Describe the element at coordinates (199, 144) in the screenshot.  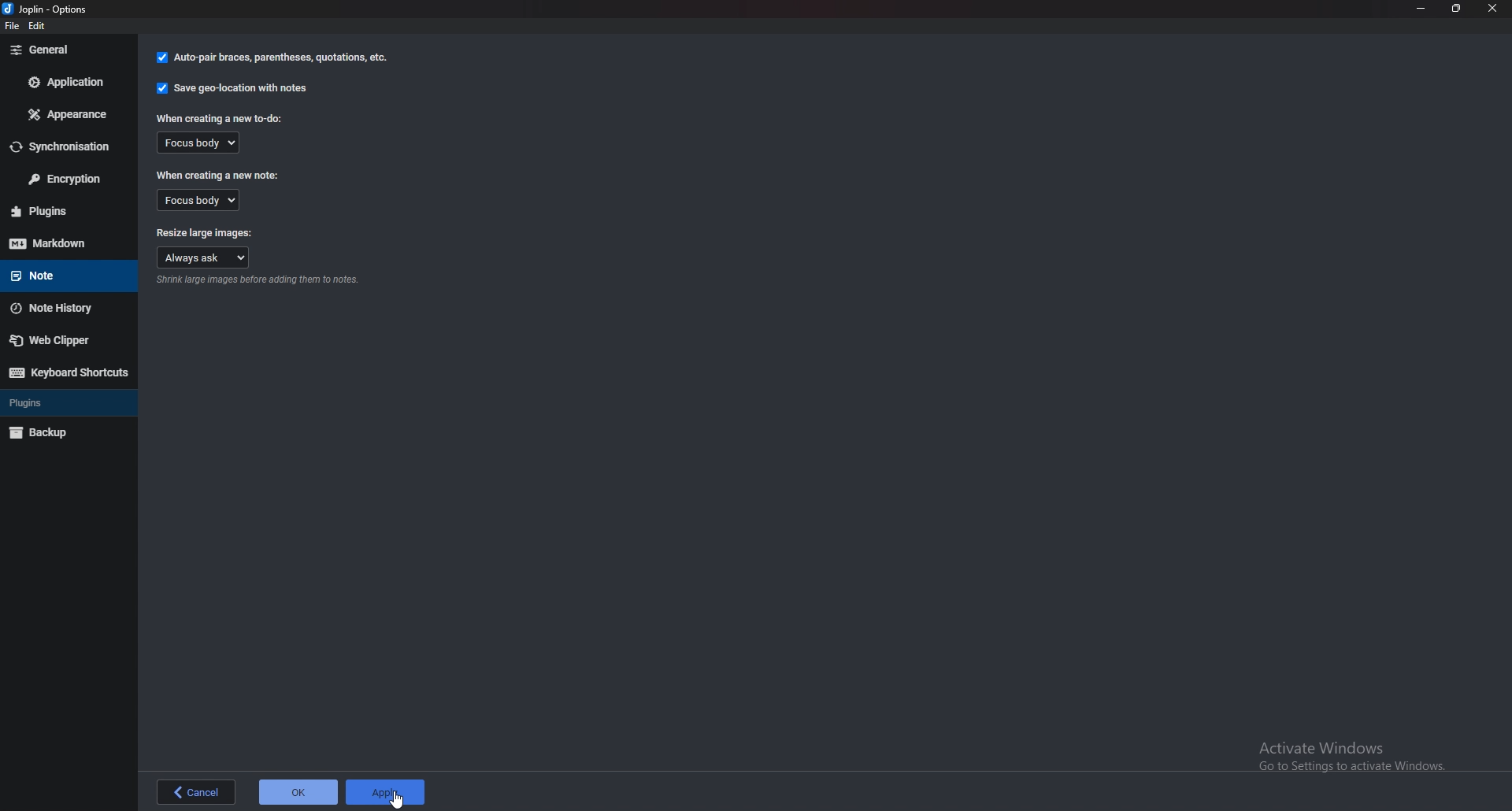
I see `Focus body` at that location.